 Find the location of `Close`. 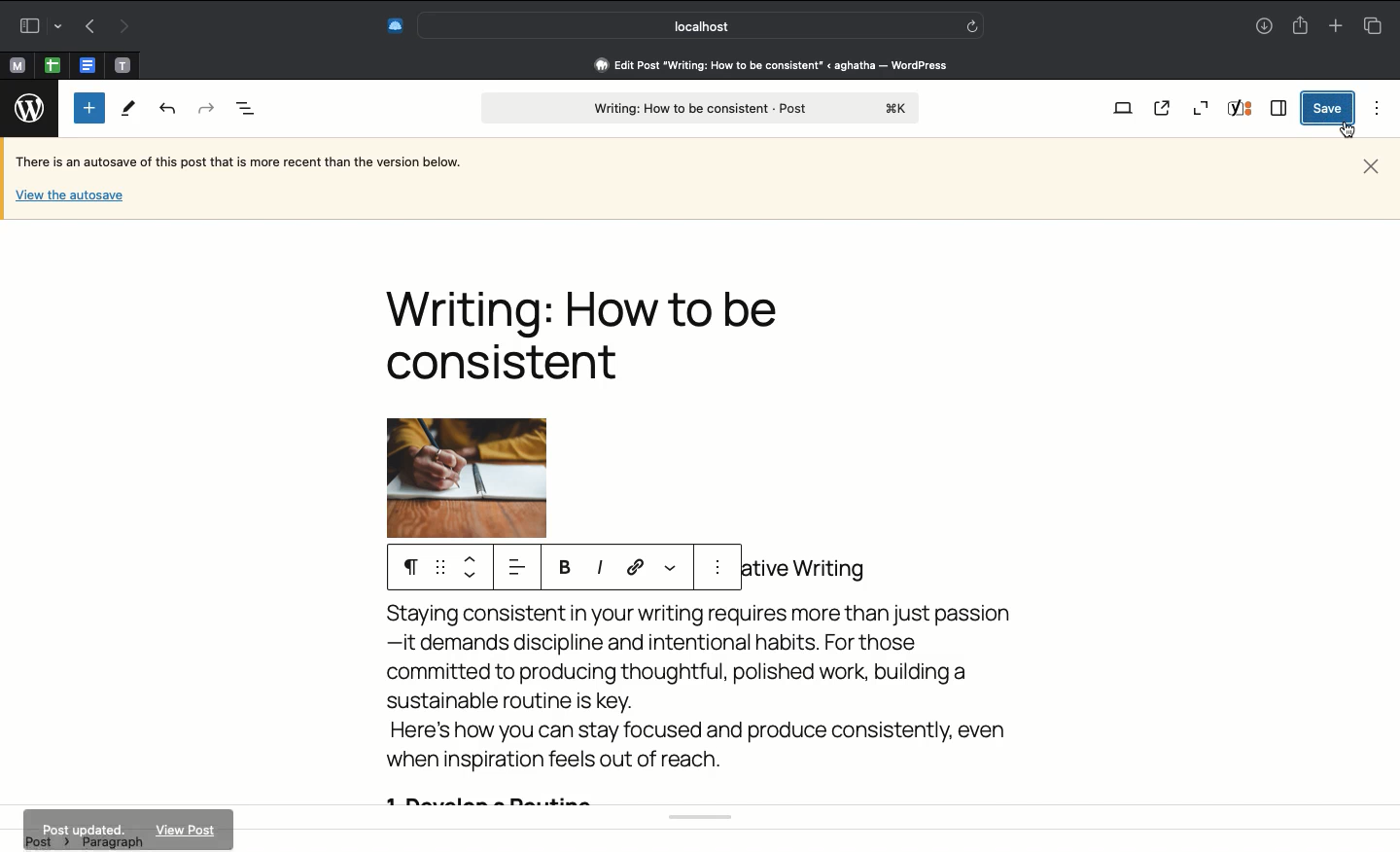

Close is located at coordinates (1371, 164).